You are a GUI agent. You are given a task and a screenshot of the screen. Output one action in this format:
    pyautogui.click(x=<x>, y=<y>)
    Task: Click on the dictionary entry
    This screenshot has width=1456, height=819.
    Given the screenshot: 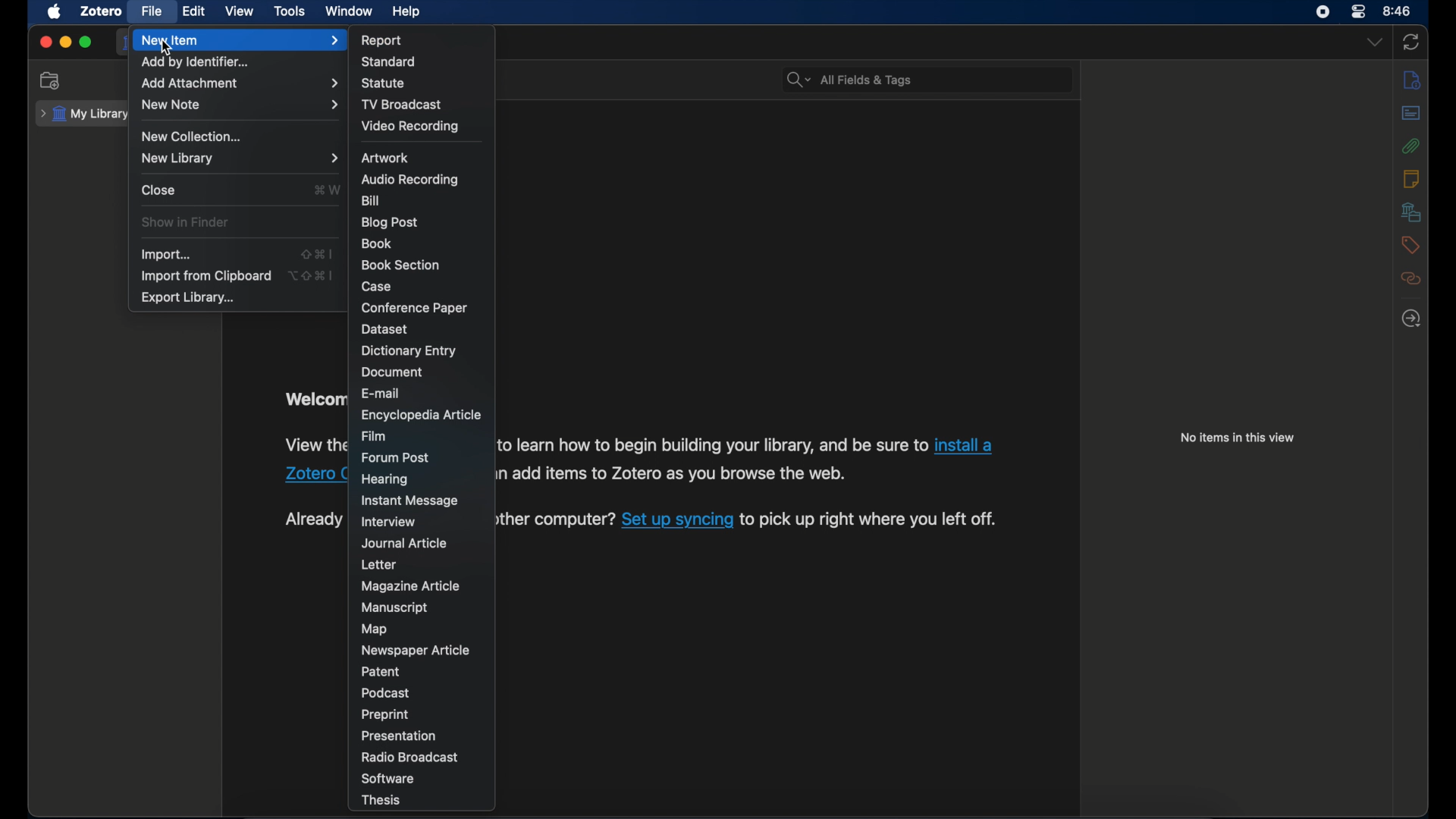 What is the action you would take?
    pyautogui.click(x=409, y=351)
    